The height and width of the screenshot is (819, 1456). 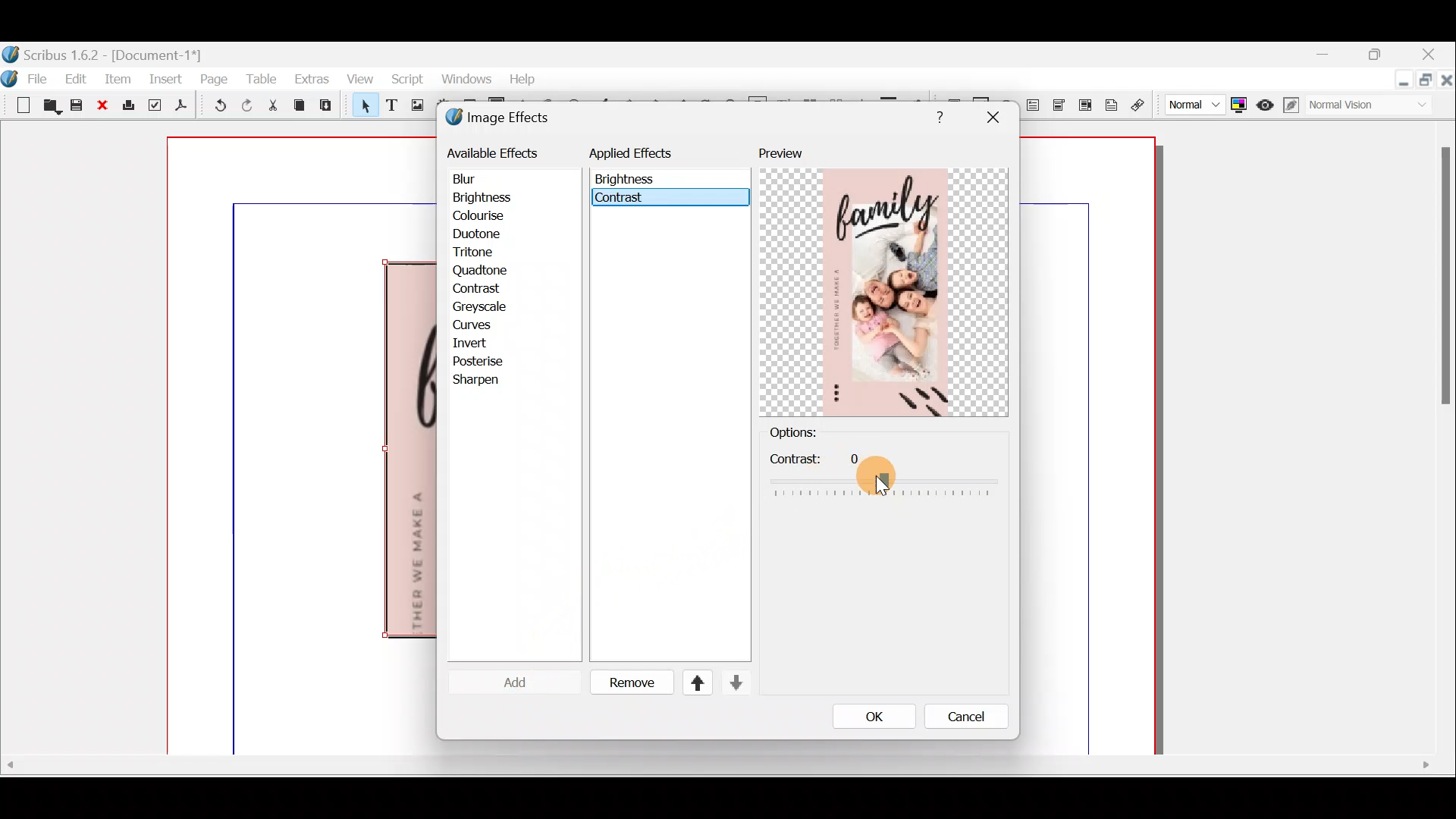 What do you see at coordinates (870, 716) in the screenshot?
I see `OK` at bounding box center [870, 716].